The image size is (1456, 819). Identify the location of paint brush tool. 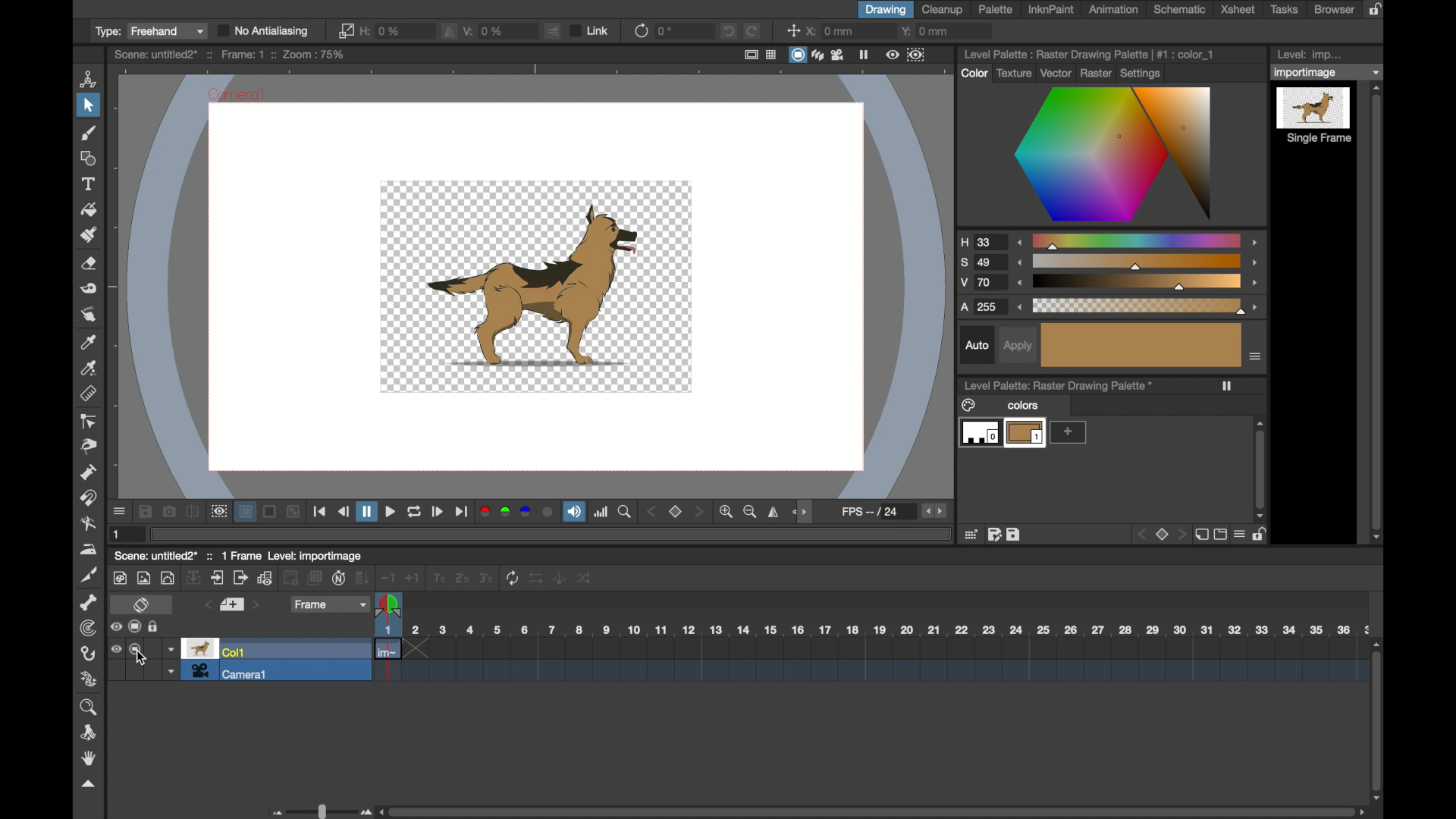
(89, 234).